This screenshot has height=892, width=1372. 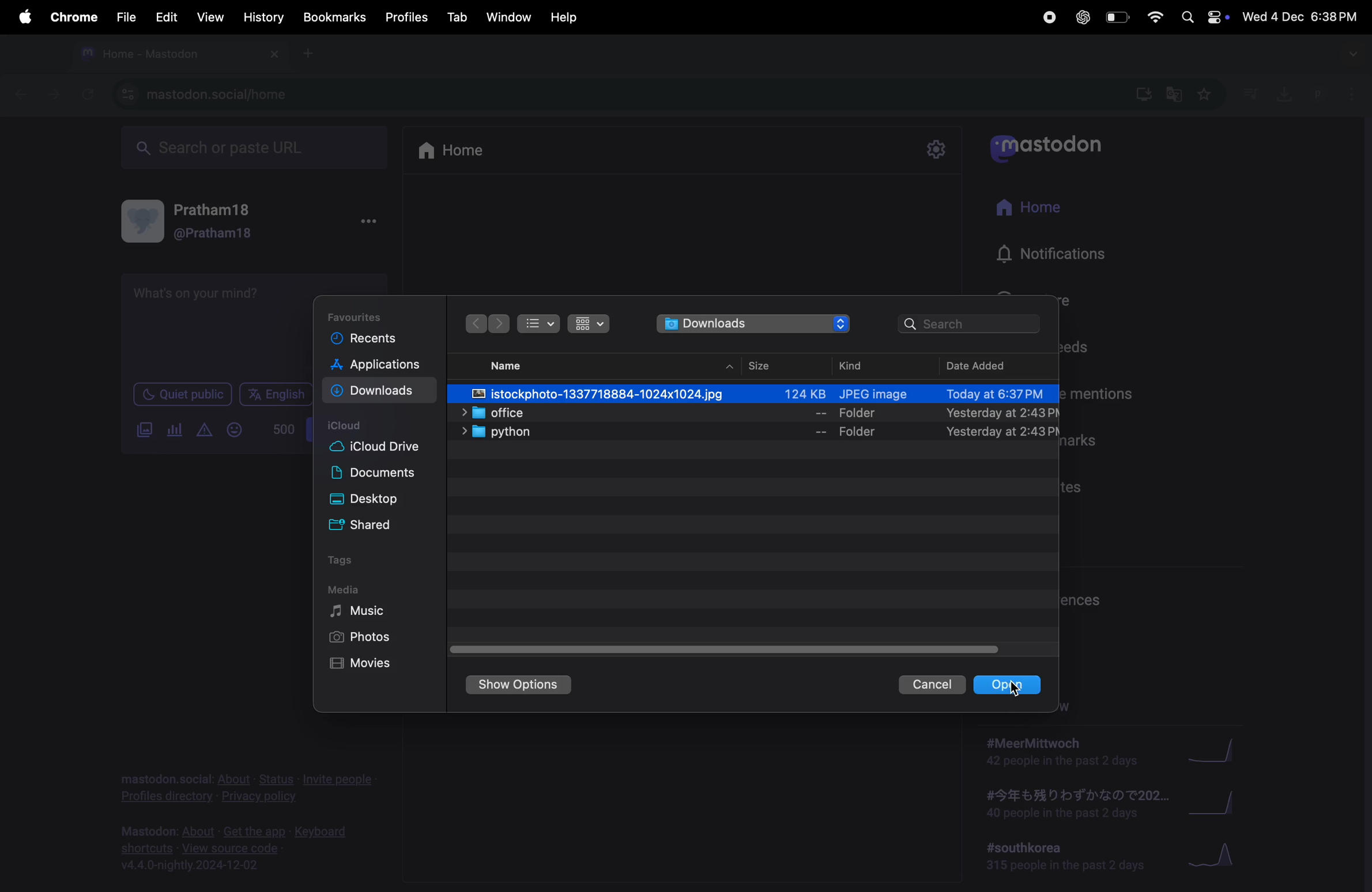 What do you see at coordinates (860, 364) in the screenshot?
I see `kind` at bounding box center [860, 364].